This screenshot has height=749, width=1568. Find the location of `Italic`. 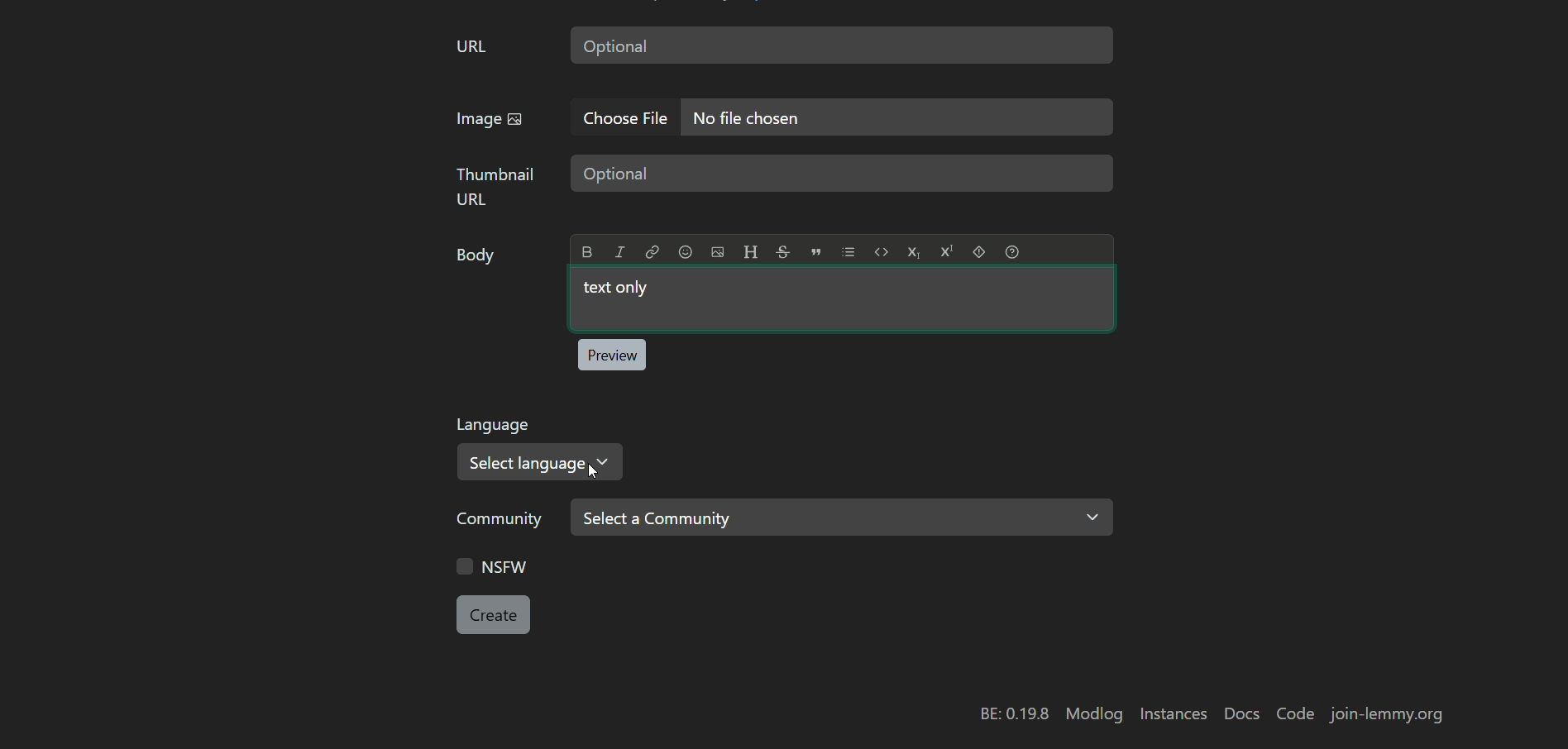

Italic is located at coordinates (619, 251).